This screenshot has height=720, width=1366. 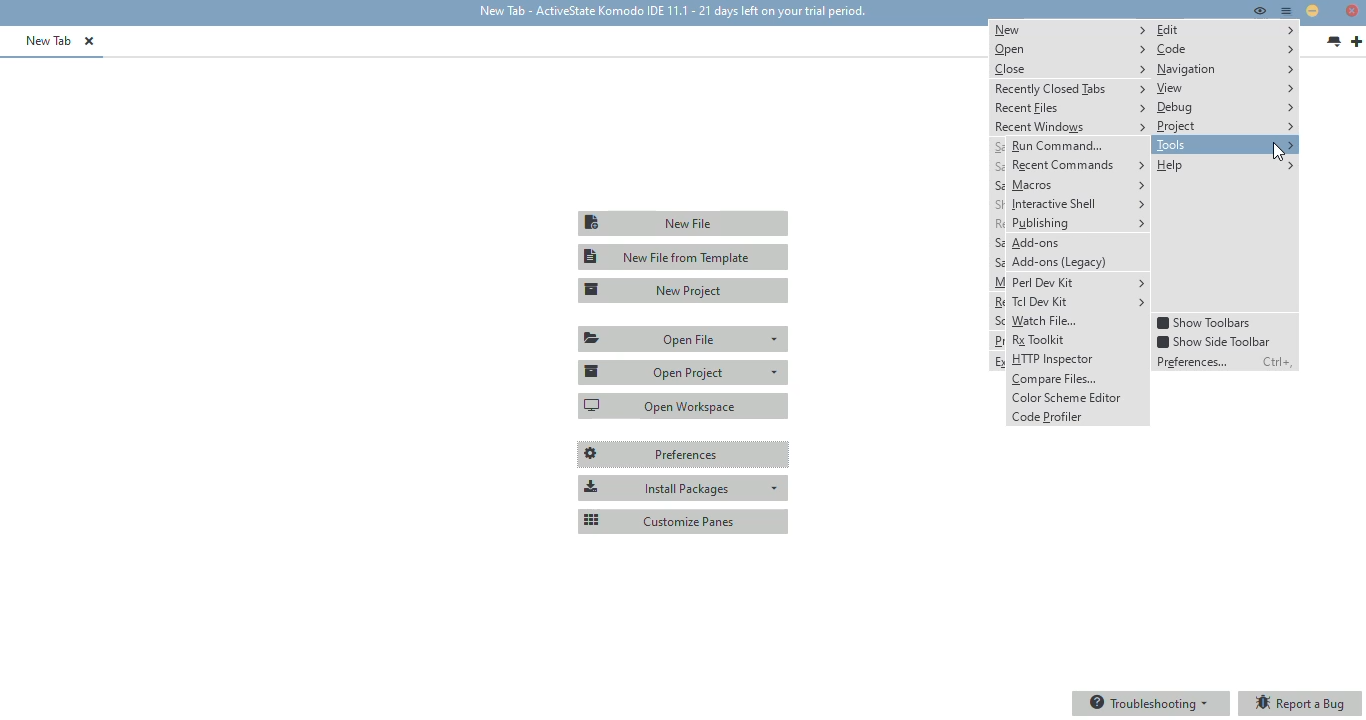 What do you see at coordinates (1287, 11) in the screenshot?
I see `menu` at bounding box center [1287, 11].